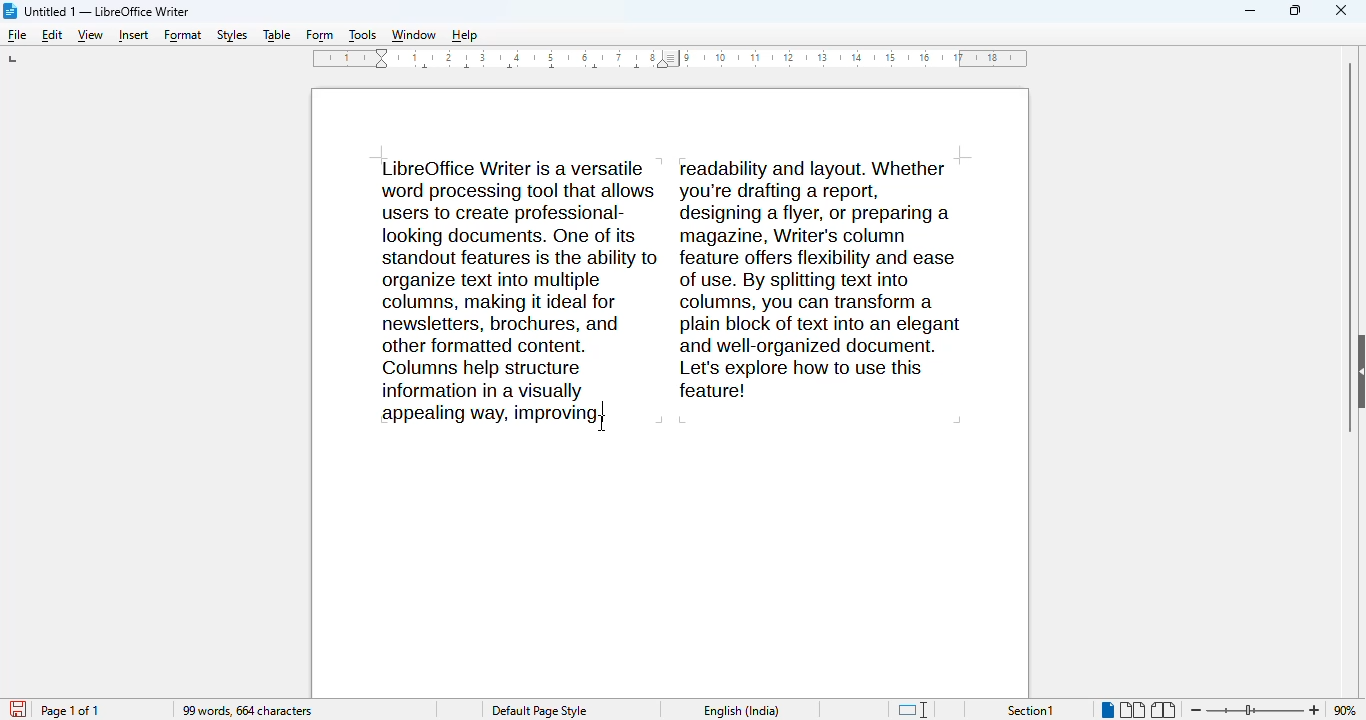 The image size is (1366, 720). What do you see at coordinates (593, 69) in the screenshot?
I see `center tab` at bounding box center [593, 69].